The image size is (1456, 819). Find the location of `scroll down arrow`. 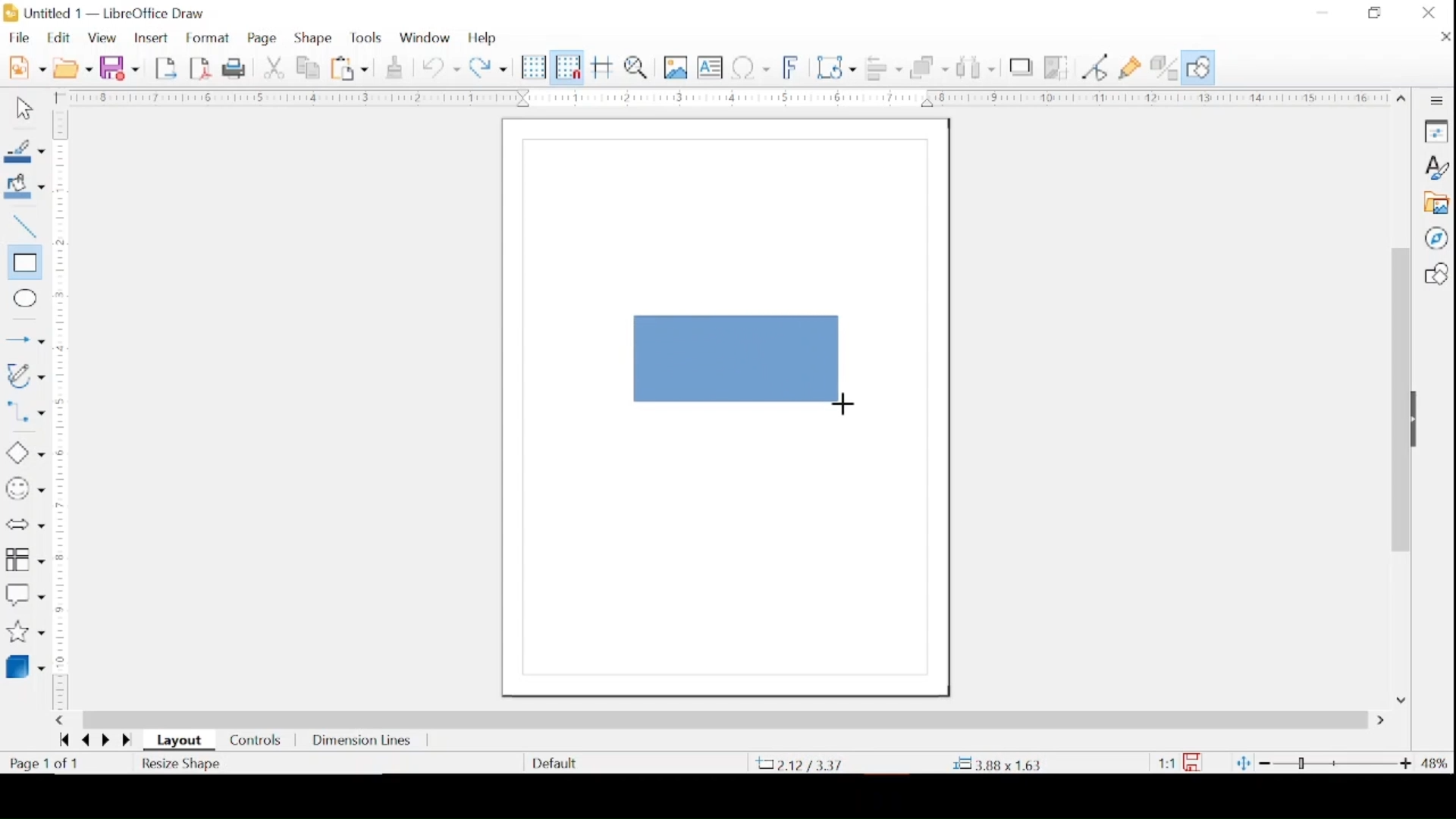

scroll down arrow is located at coordinates (1399, 698).